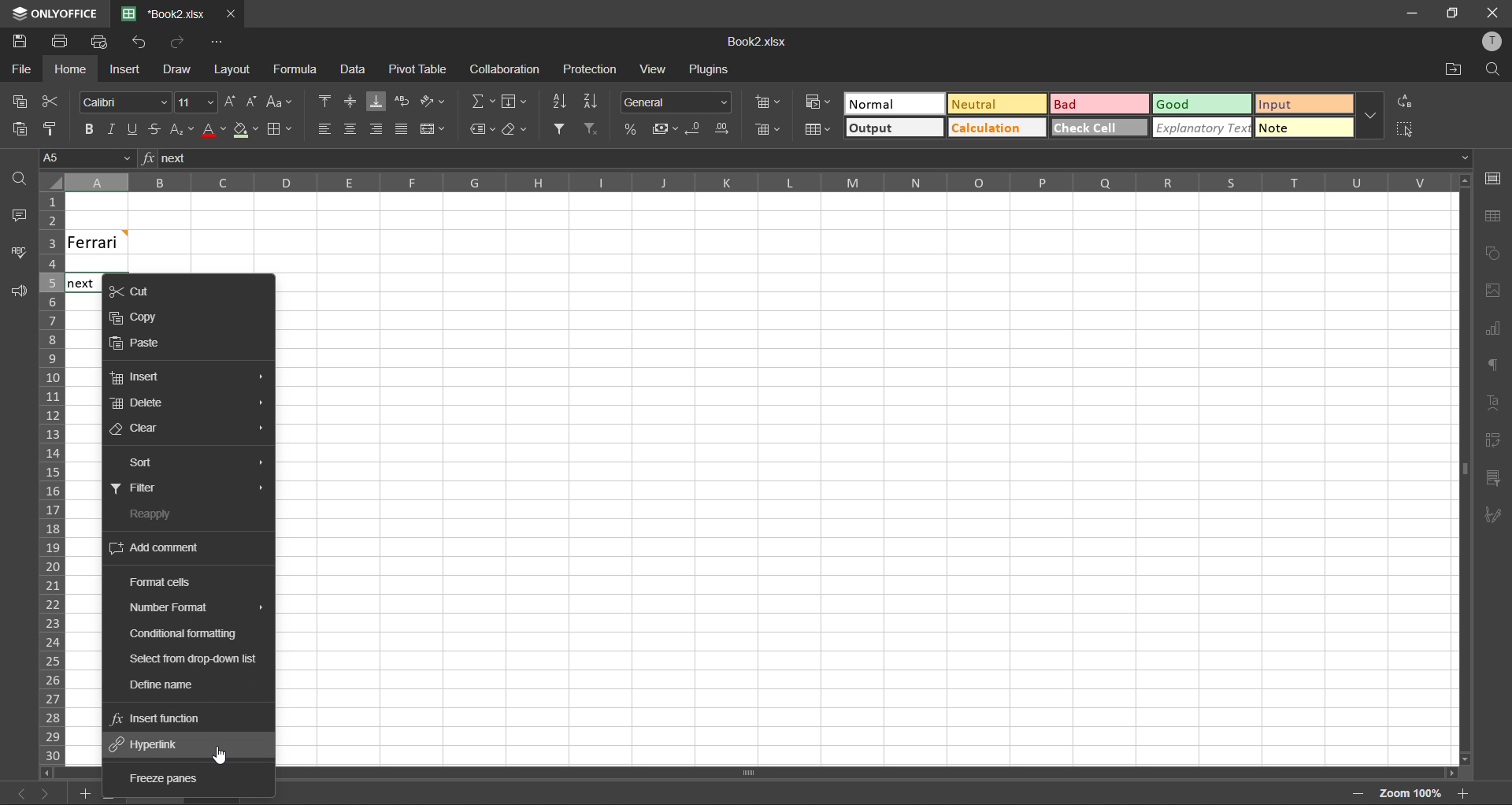  What do you see at coordinates (870, 774) in the screenshot?
I see `Vertical Scrollbar` at bounding box center [870, 774].